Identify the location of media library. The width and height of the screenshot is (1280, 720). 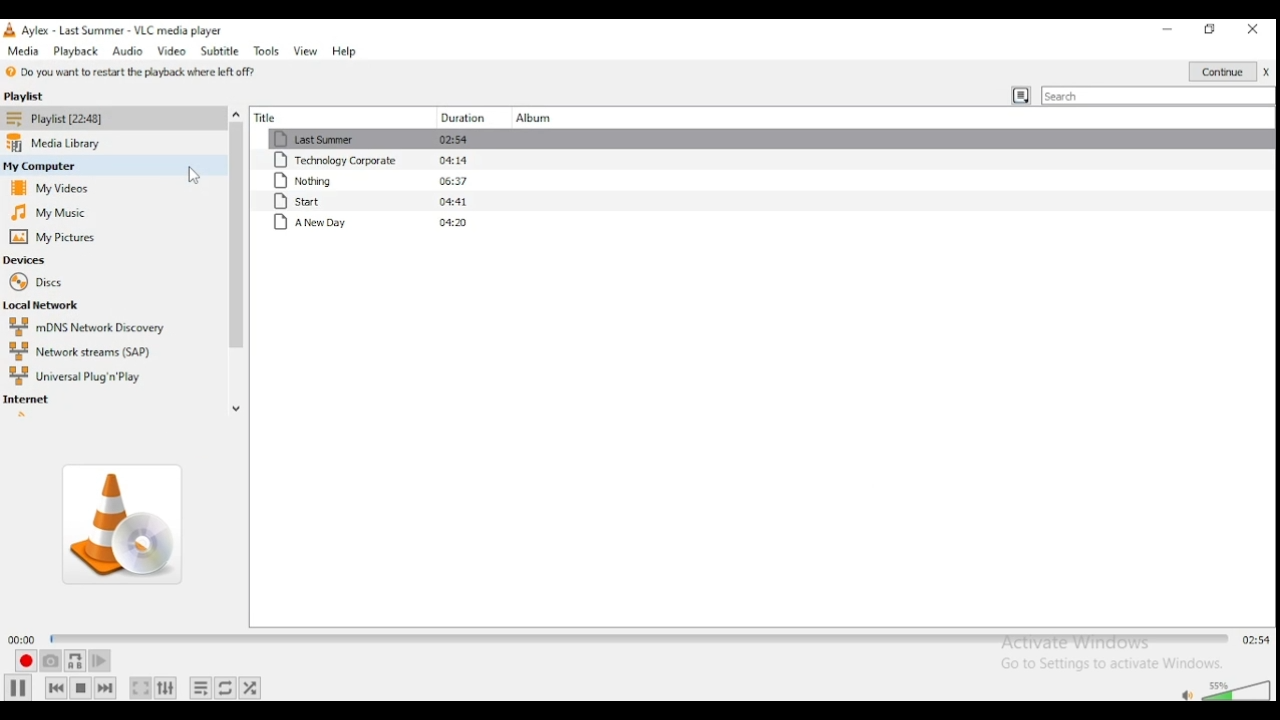
(58, 142).